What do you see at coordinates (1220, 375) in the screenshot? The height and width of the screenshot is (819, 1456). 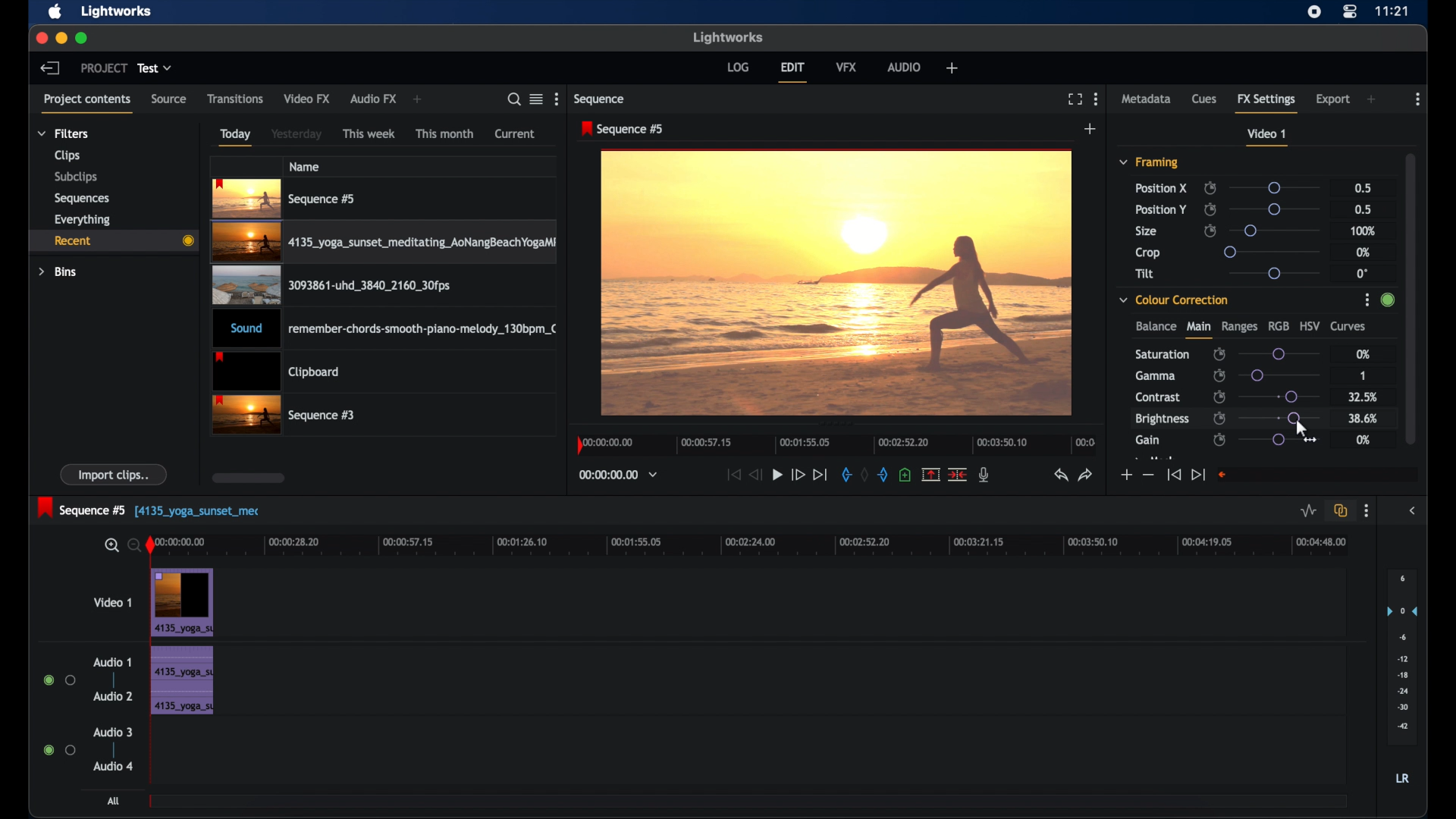 I see `enable/disable keyframes` at bounding box center [1220, 375].